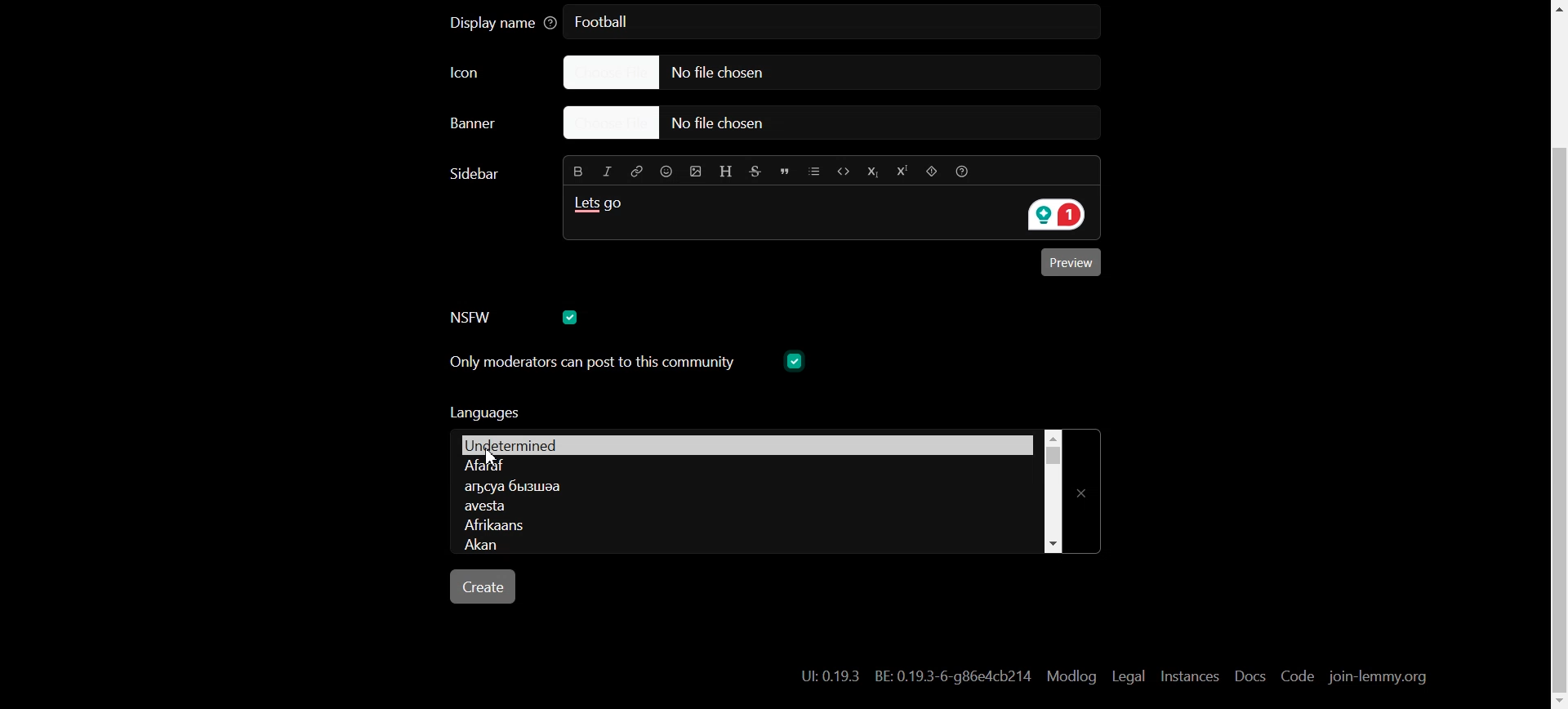 The image size is (1568, 709). Describe the element at coordinates (637, 171) in the screenshot. I see `Hyperlink` at that location.